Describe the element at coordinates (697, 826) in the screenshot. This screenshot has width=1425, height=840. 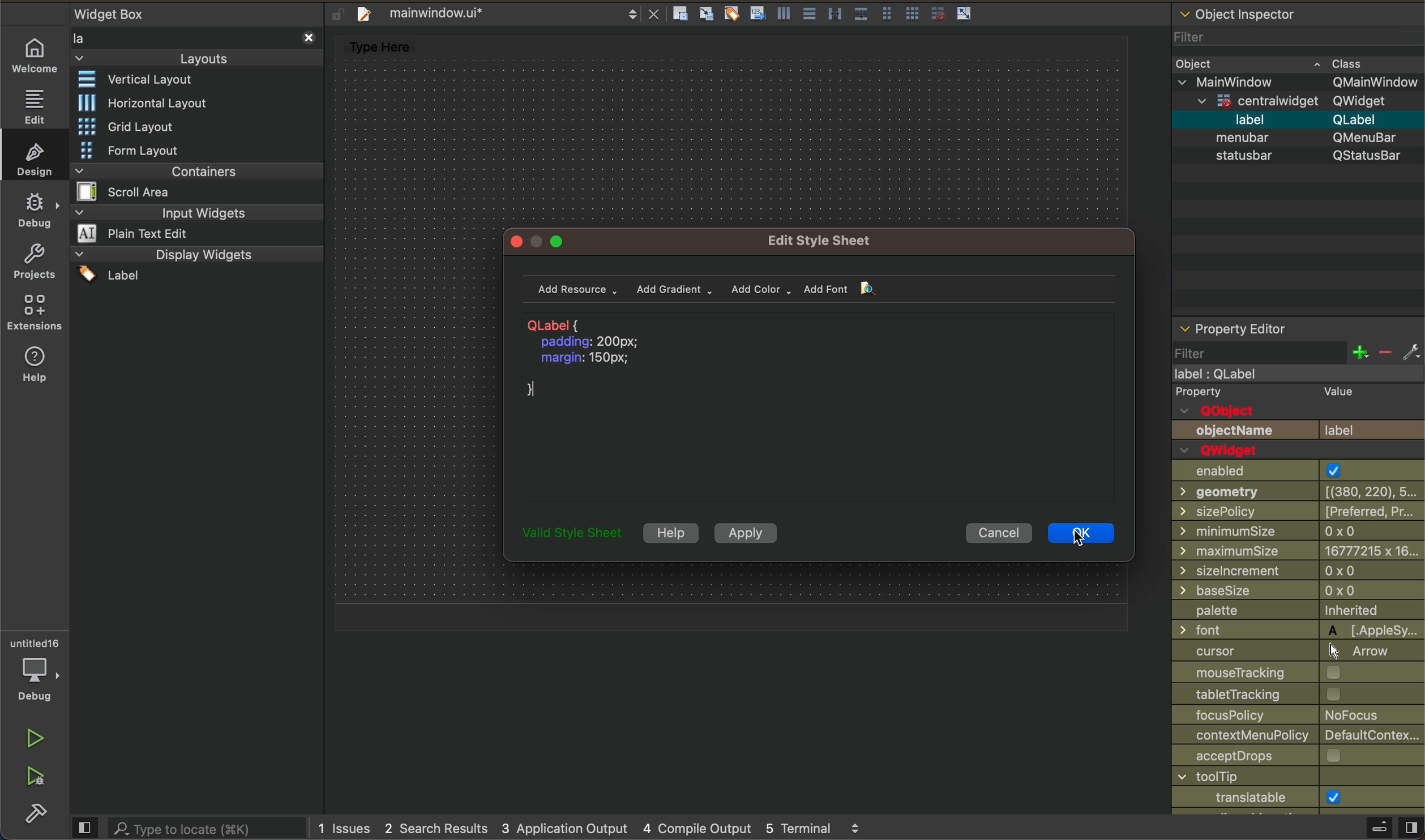
I see `4 compile output` at that location.